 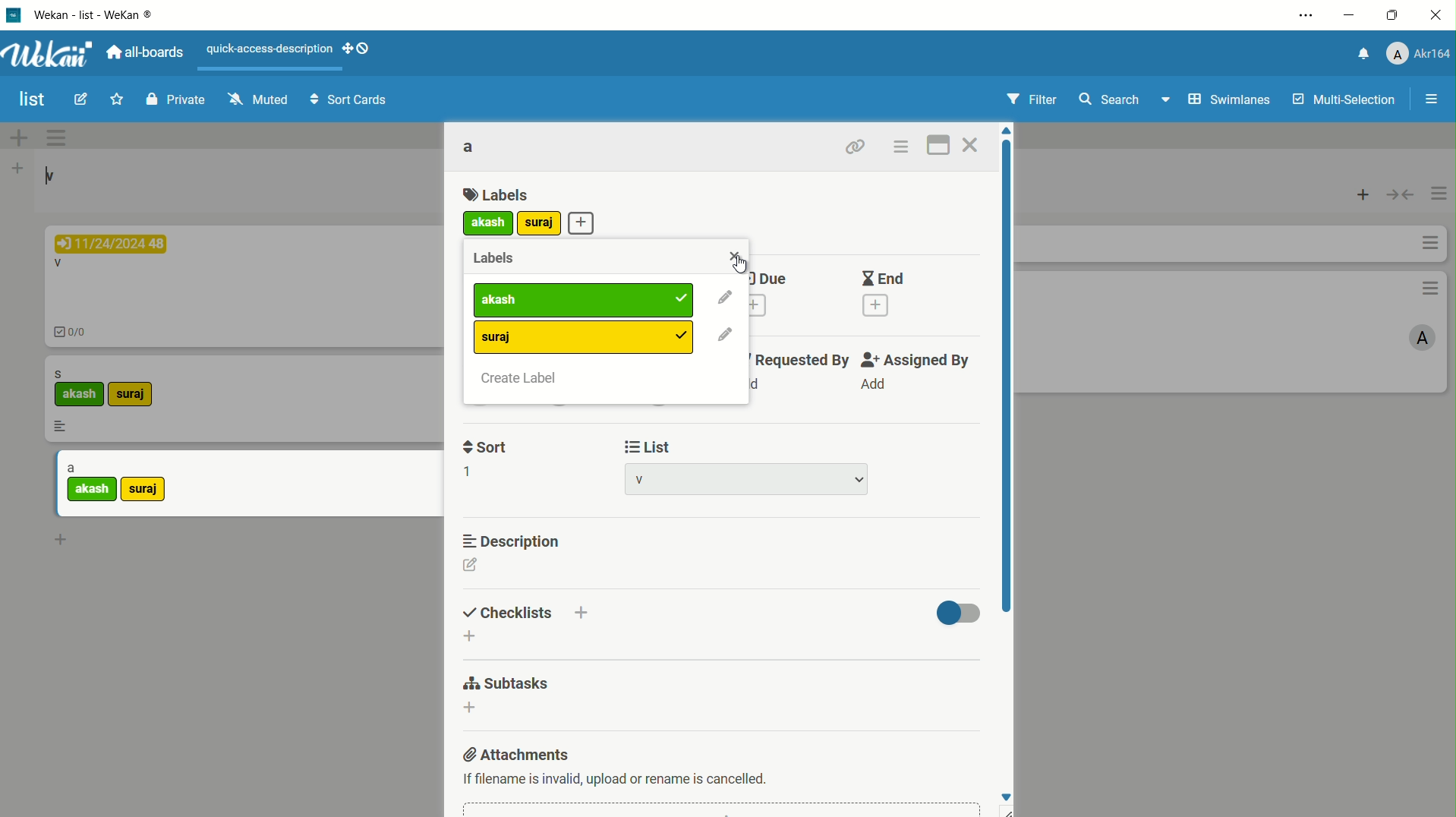 I want to click on muted, so click(x=257, y=99).